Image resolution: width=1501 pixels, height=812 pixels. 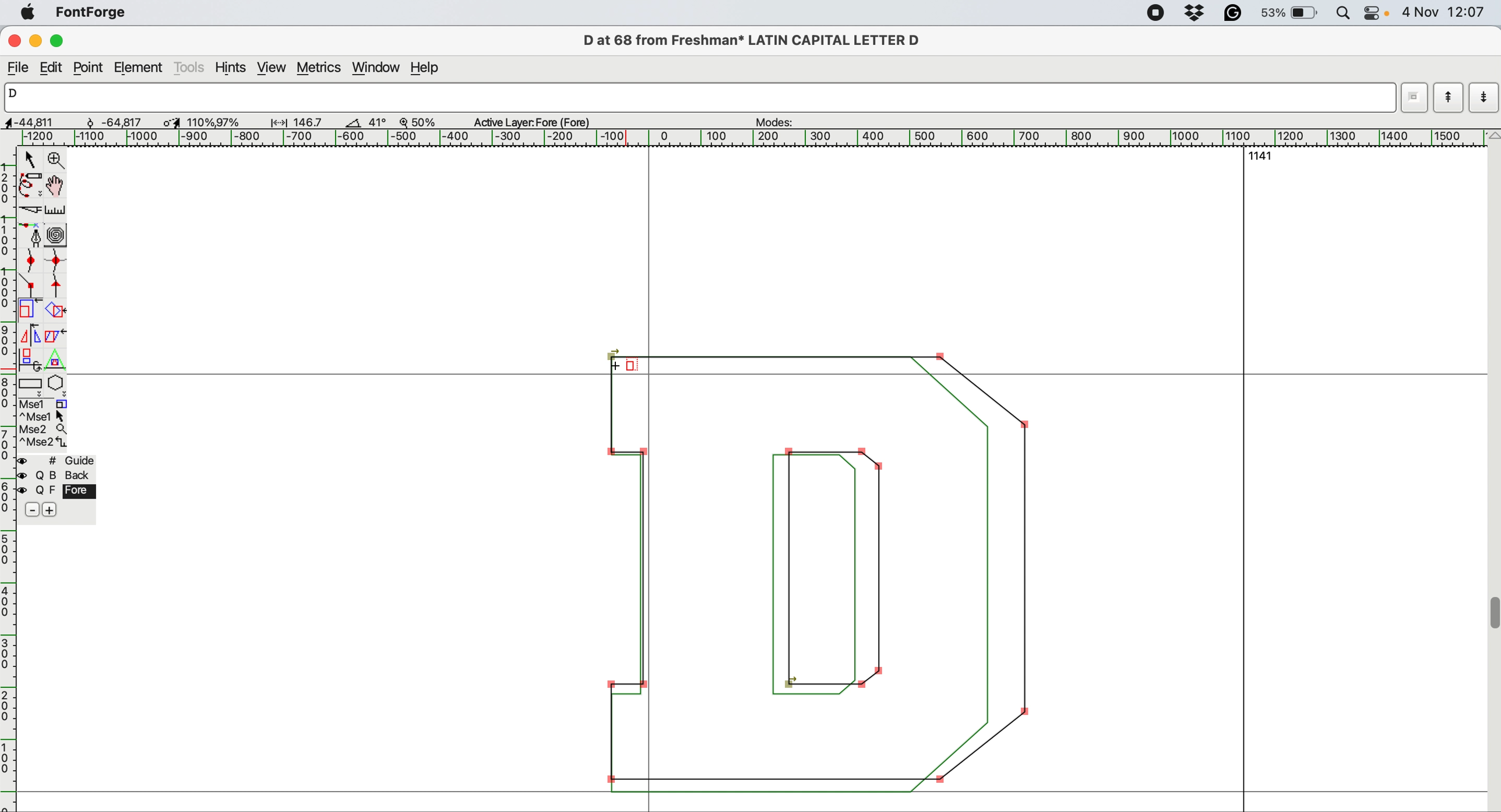 I want to click on add a vantage point, so click(x=60, y=287).